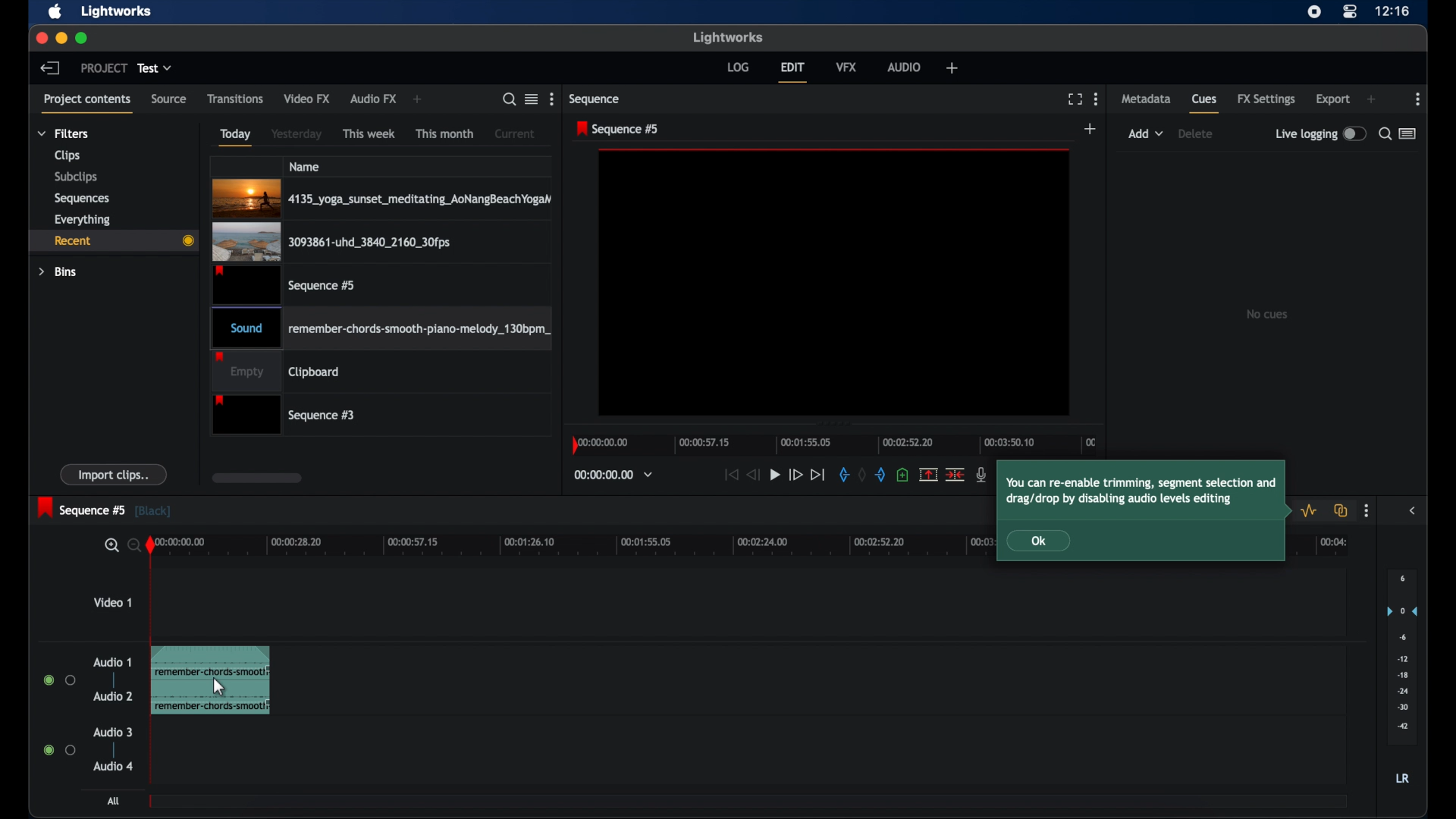 This screenshot has height=819, width=1456. I want to click on split, so click(928, 474).